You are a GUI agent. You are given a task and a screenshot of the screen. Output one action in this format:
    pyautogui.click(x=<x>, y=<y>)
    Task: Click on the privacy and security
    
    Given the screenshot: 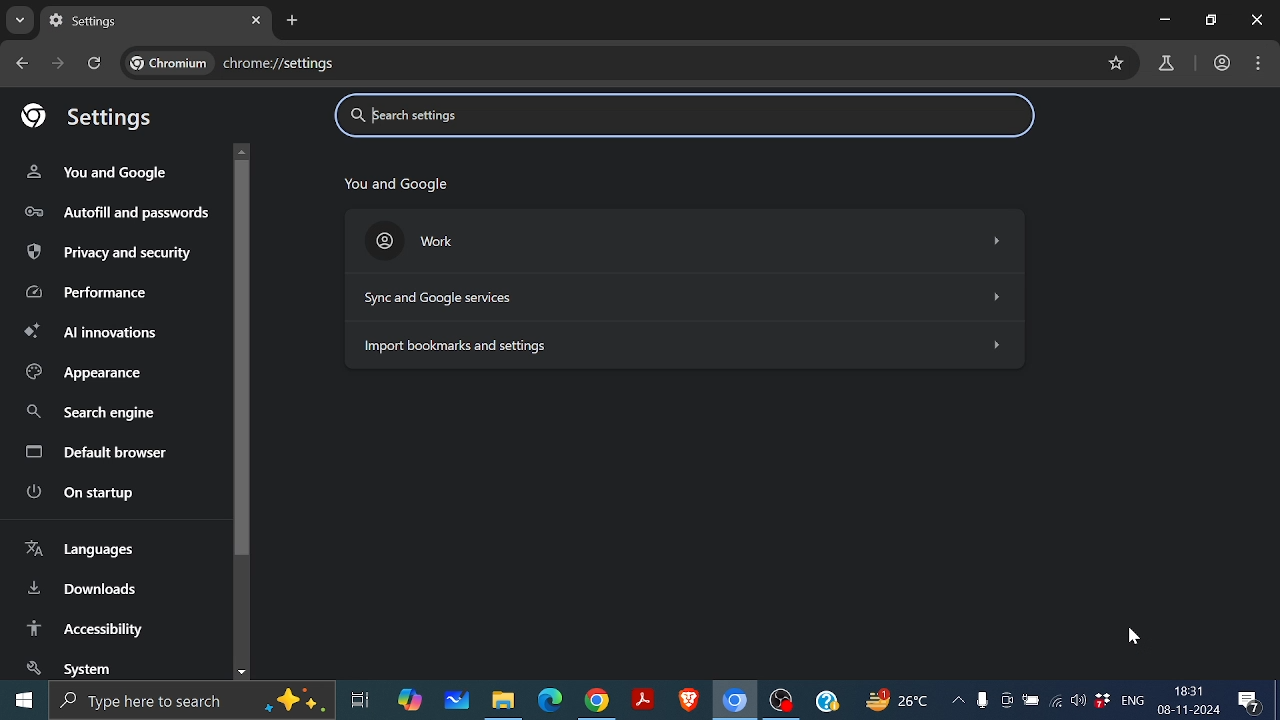 What is the action you would take?
    pyautogui.click(x=111, y=255)
    